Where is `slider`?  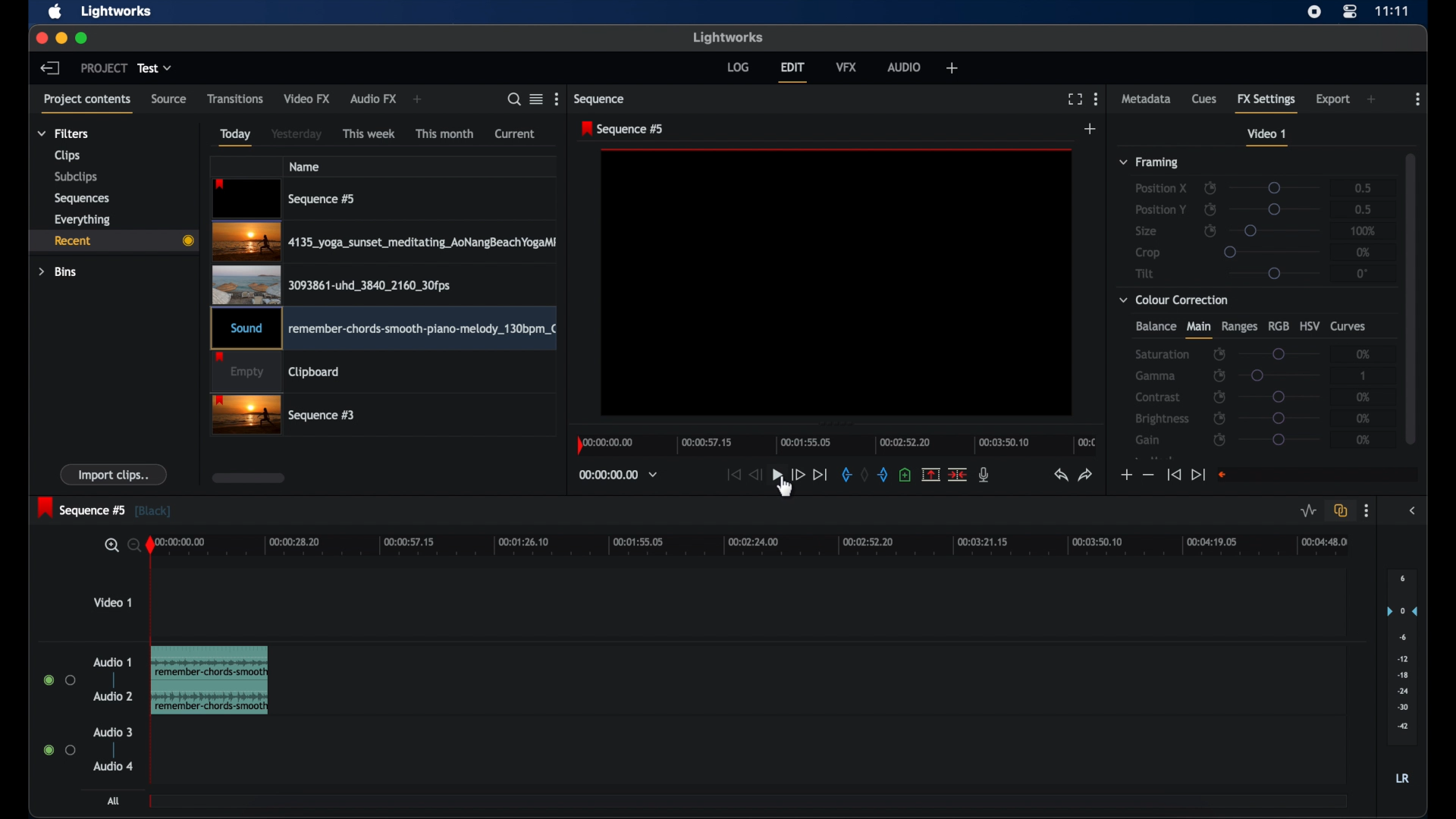
slider is located at coordinates (1279, 353).